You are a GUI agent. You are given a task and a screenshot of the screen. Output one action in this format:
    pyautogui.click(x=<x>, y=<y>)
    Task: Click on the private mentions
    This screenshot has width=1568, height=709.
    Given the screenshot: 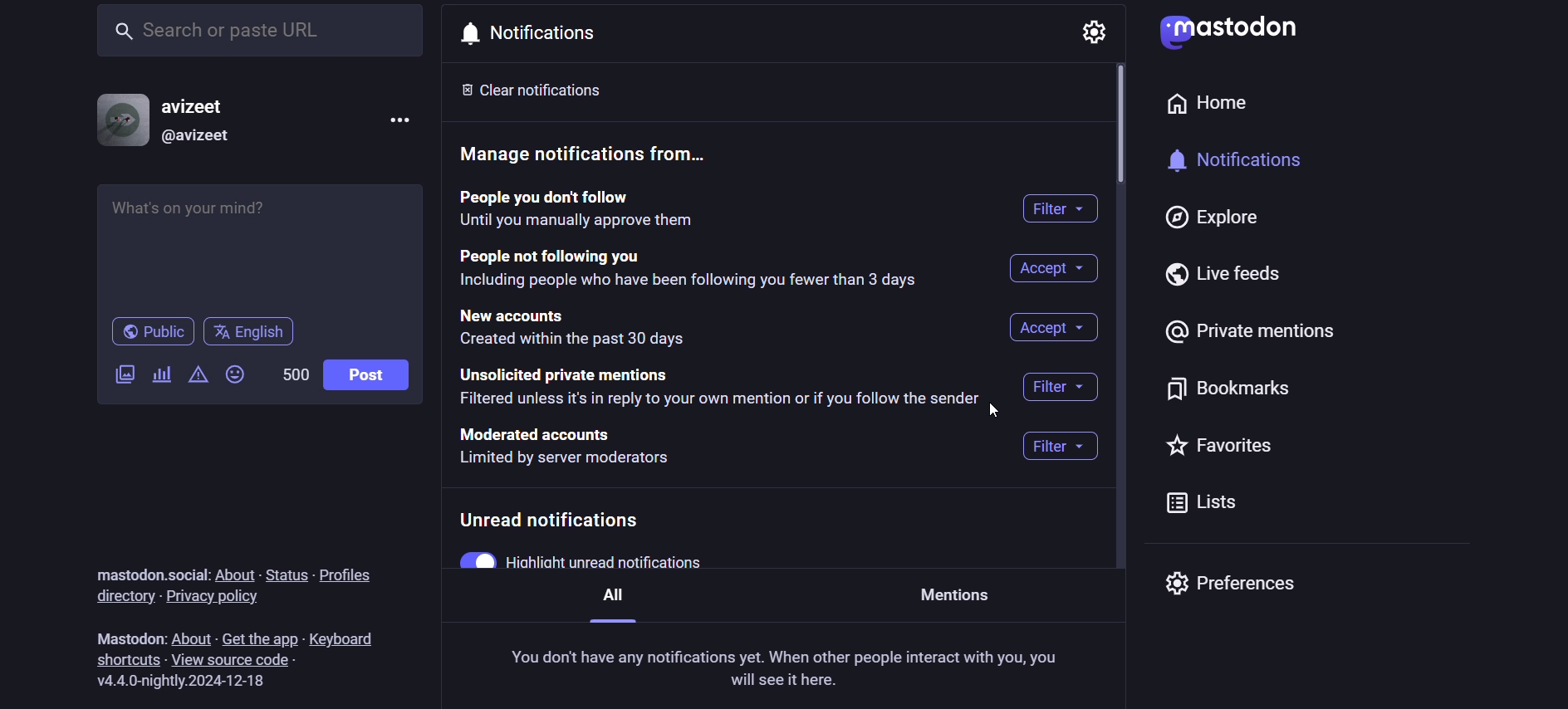 What is the action you would take?
    pyautogui.click(x=1250, y=333)
    